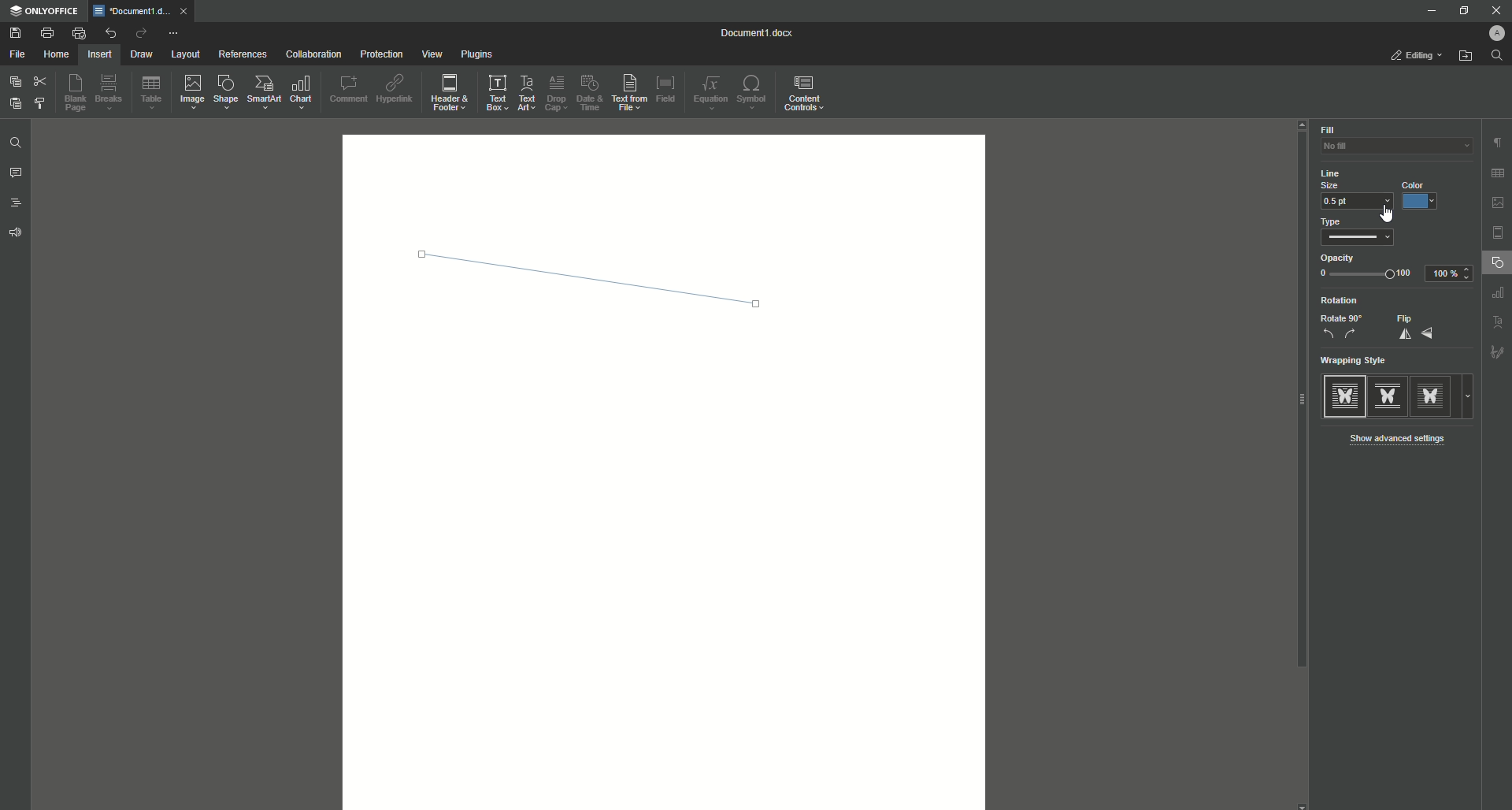  Describe the element at coordinates (496, 92) in the screenshot. I see `Text Box` at that location.